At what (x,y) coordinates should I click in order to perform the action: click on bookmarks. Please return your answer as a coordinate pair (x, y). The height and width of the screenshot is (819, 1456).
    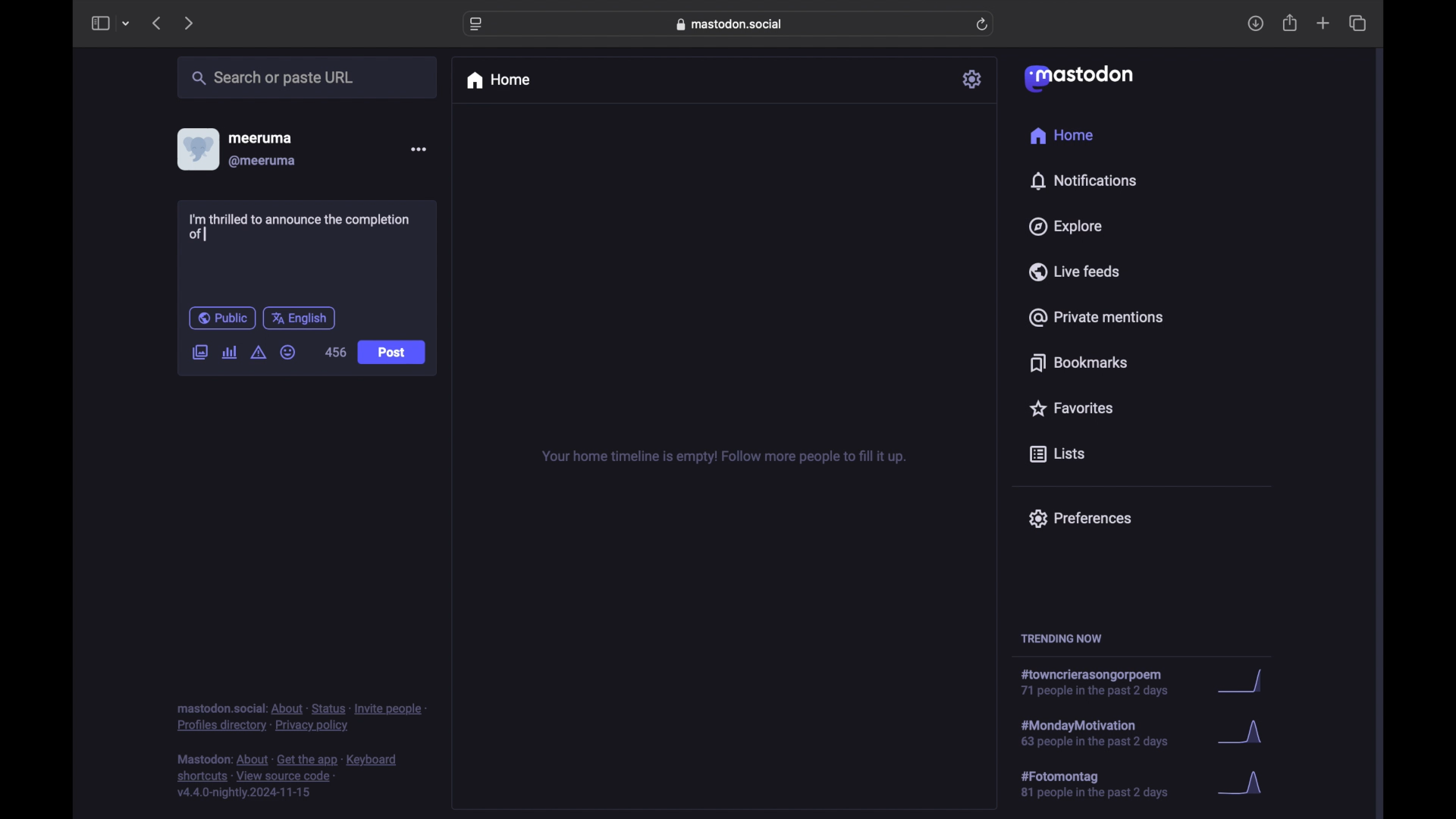
    Looking at the image, I should click on (1081, 362).